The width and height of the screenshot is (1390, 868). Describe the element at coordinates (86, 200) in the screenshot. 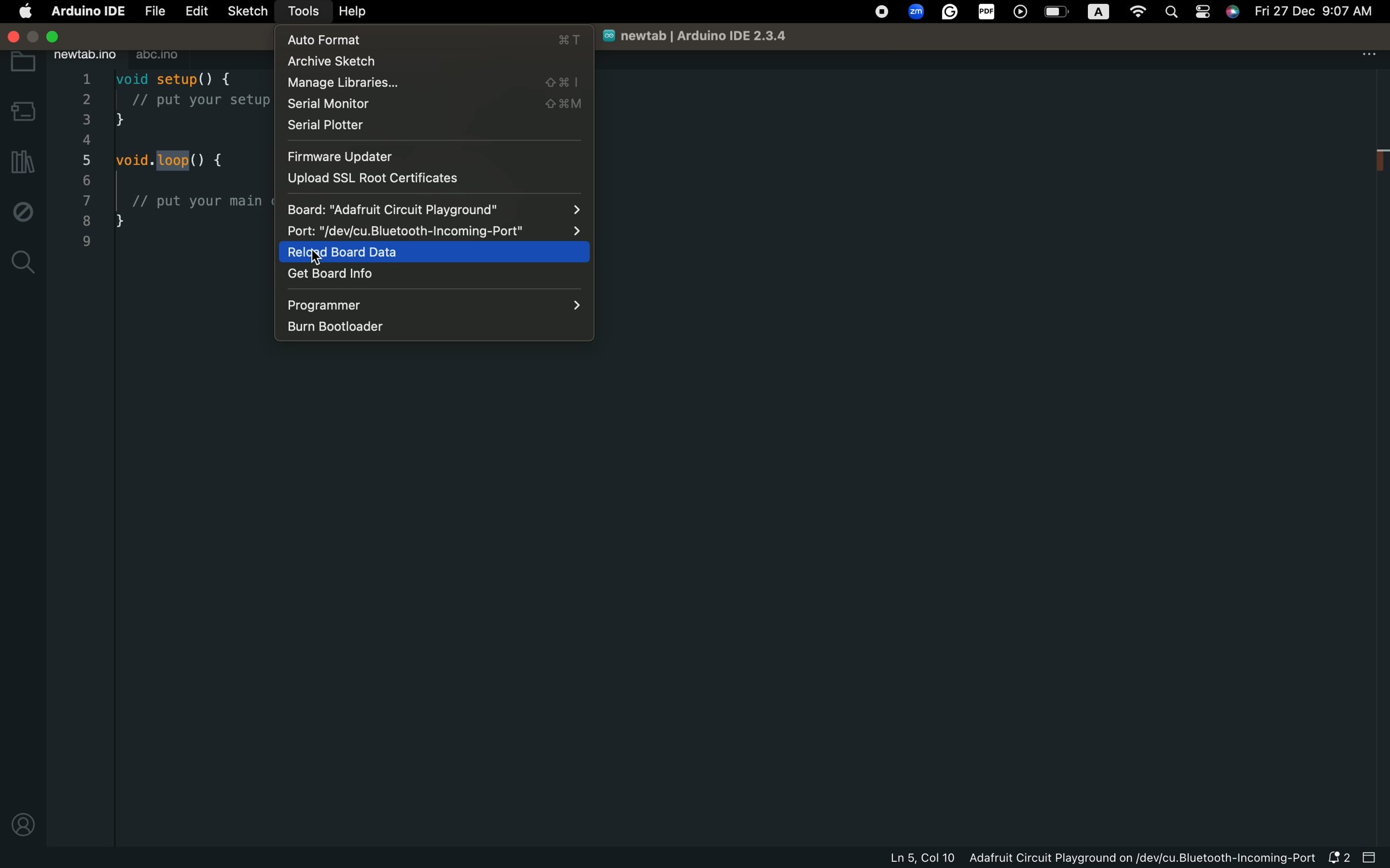

I see `7` at that location.